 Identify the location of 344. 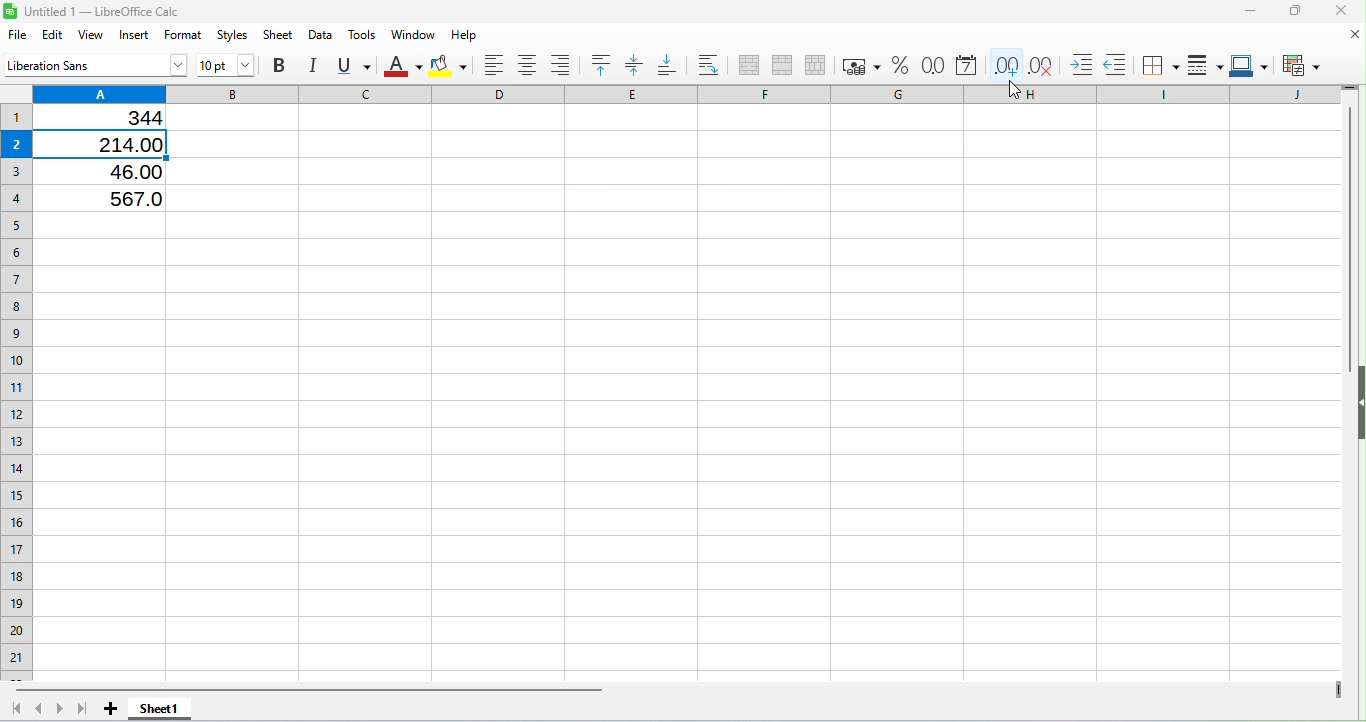
(121, 118).